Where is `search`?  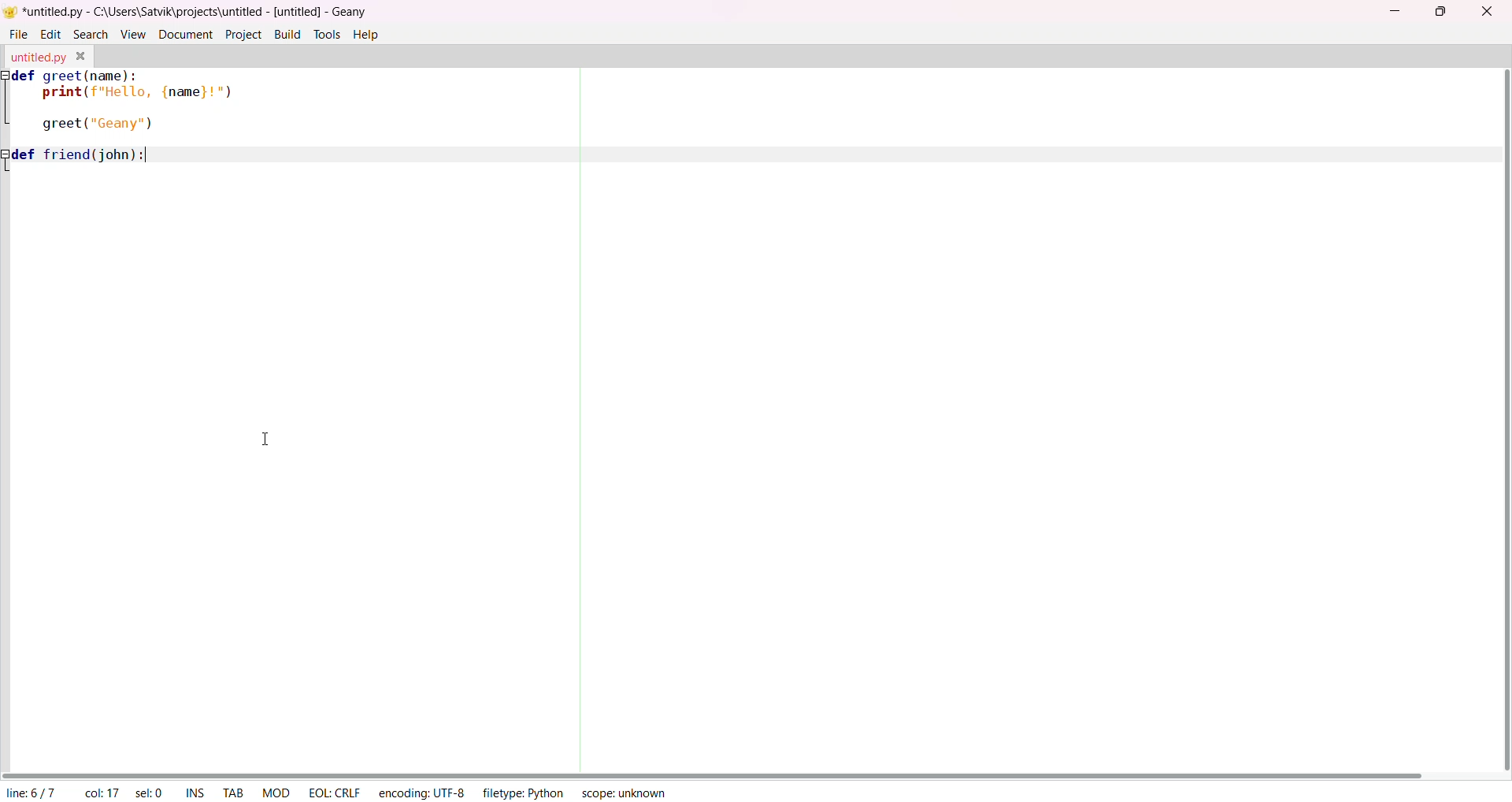 search is located at coordinates (91, 33).